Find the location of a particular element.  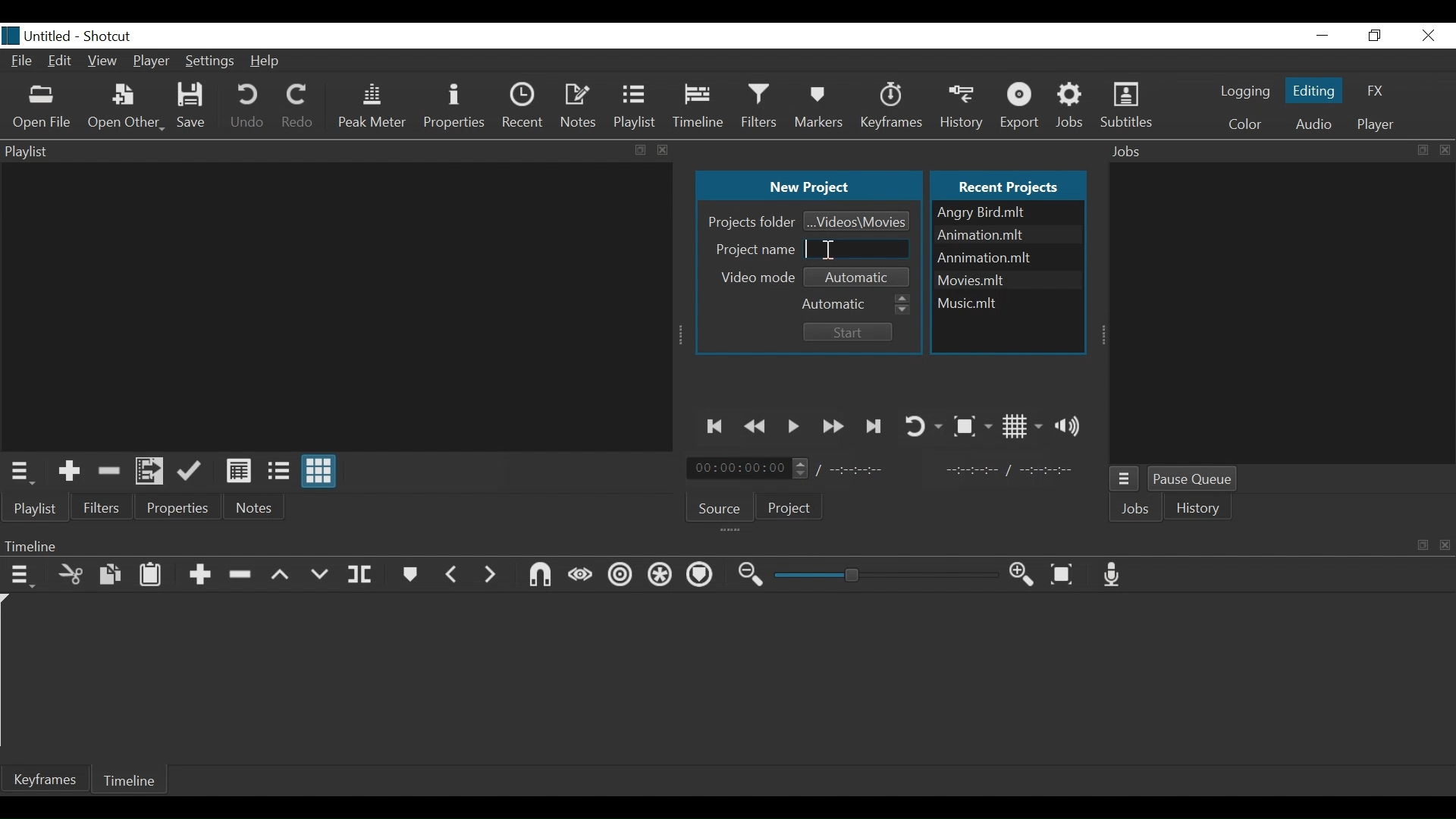

Color is located at coordinates (1245, 124).